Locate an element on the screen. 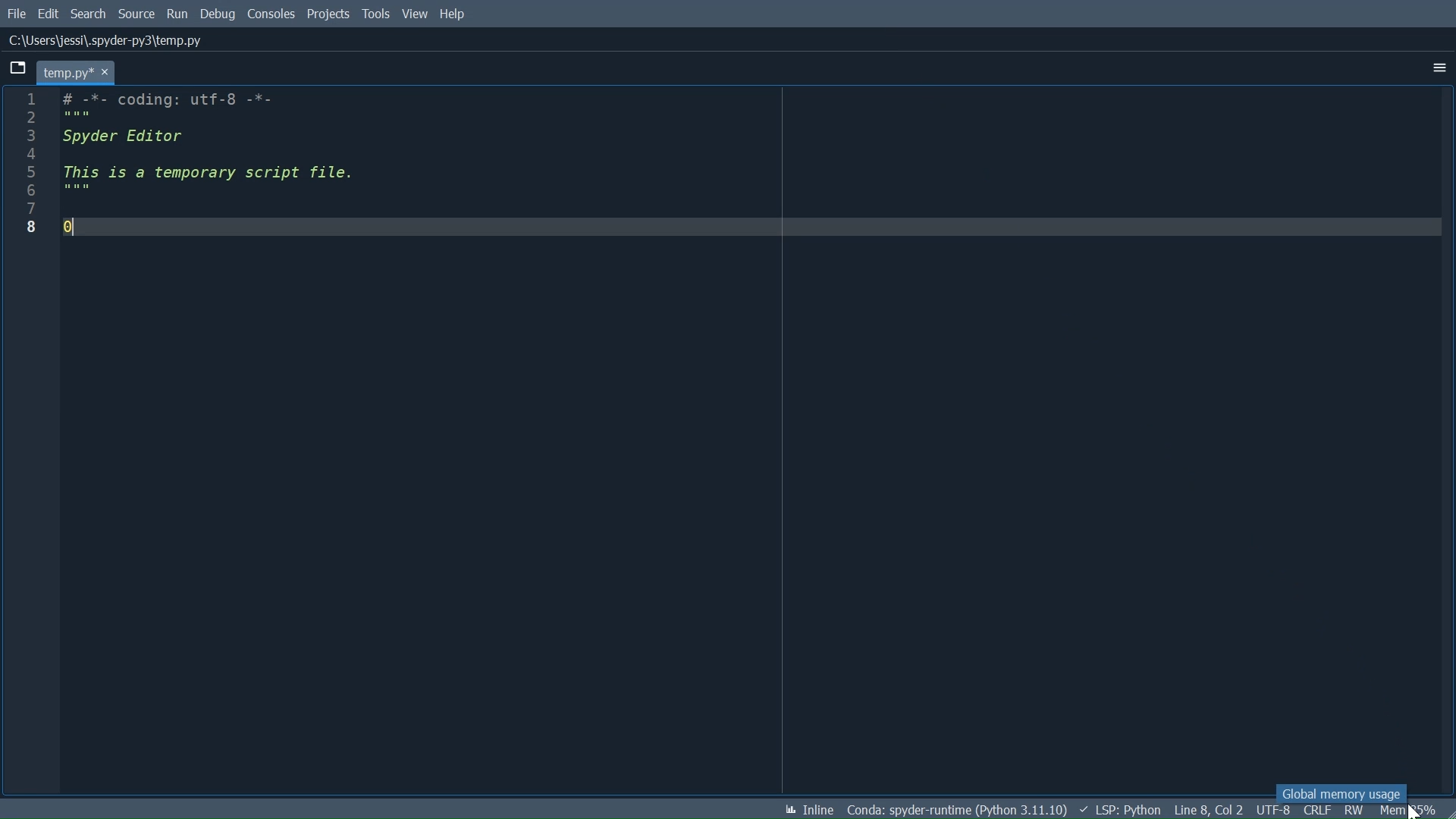  File Permissions is located at coordinates (1354, 810).